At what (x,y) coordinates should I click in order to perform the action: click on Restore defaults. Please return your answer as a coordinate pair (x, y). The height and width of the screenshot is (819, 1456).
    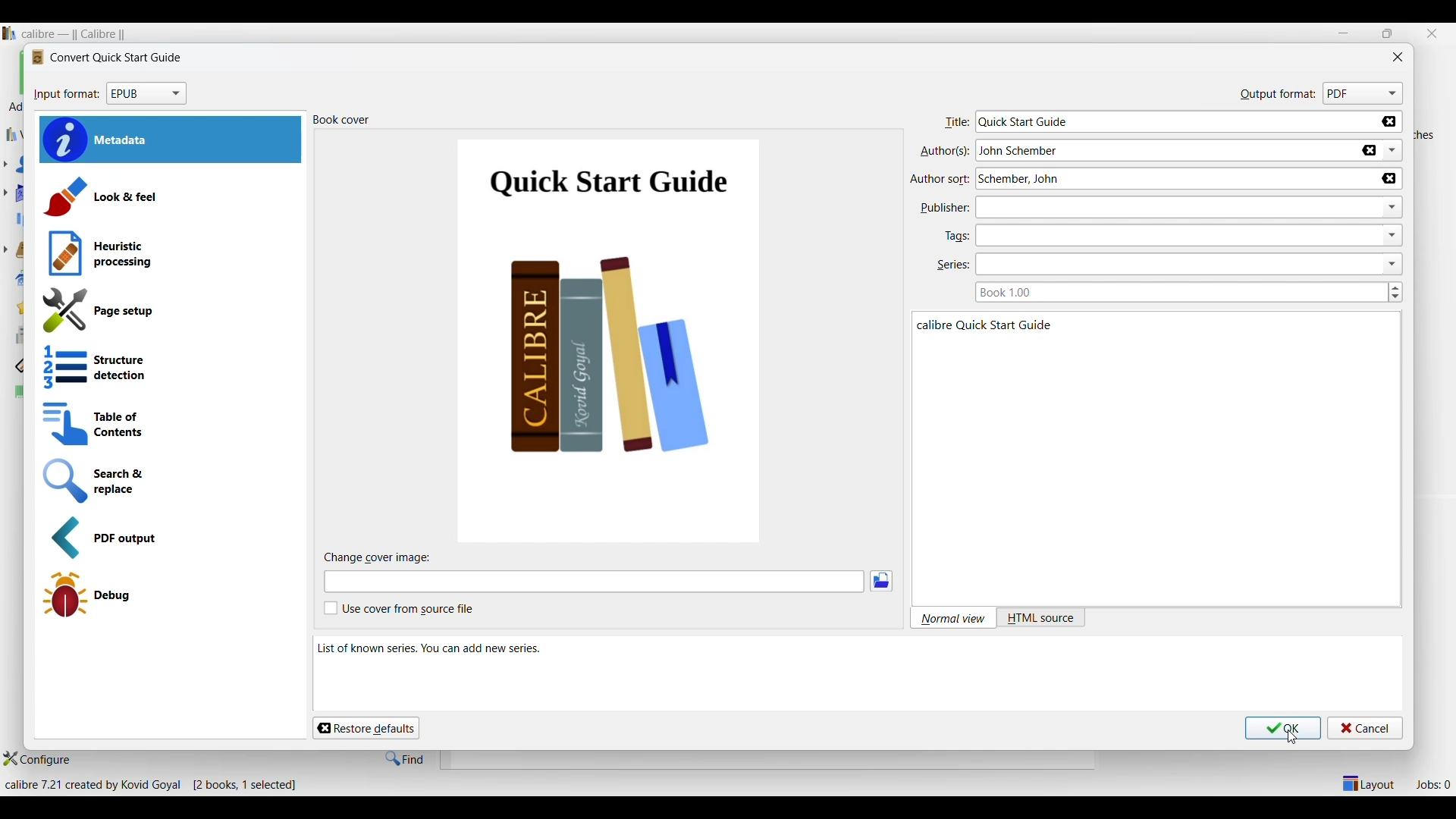
    Looking at the image, I should click on (366, 729).